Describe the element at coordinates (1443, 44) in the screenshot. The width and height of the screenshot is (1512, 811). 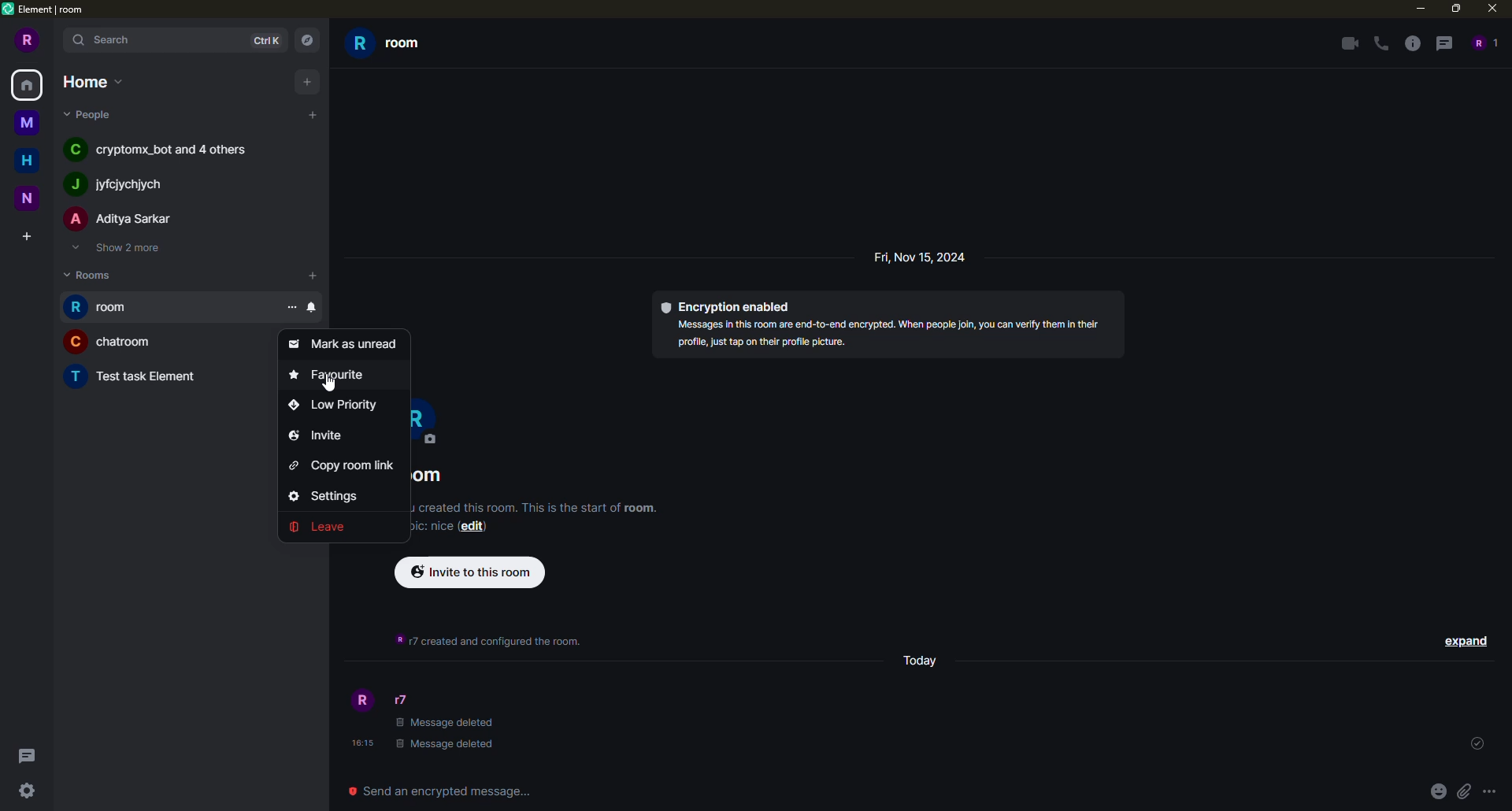
I see `threads` at that location.